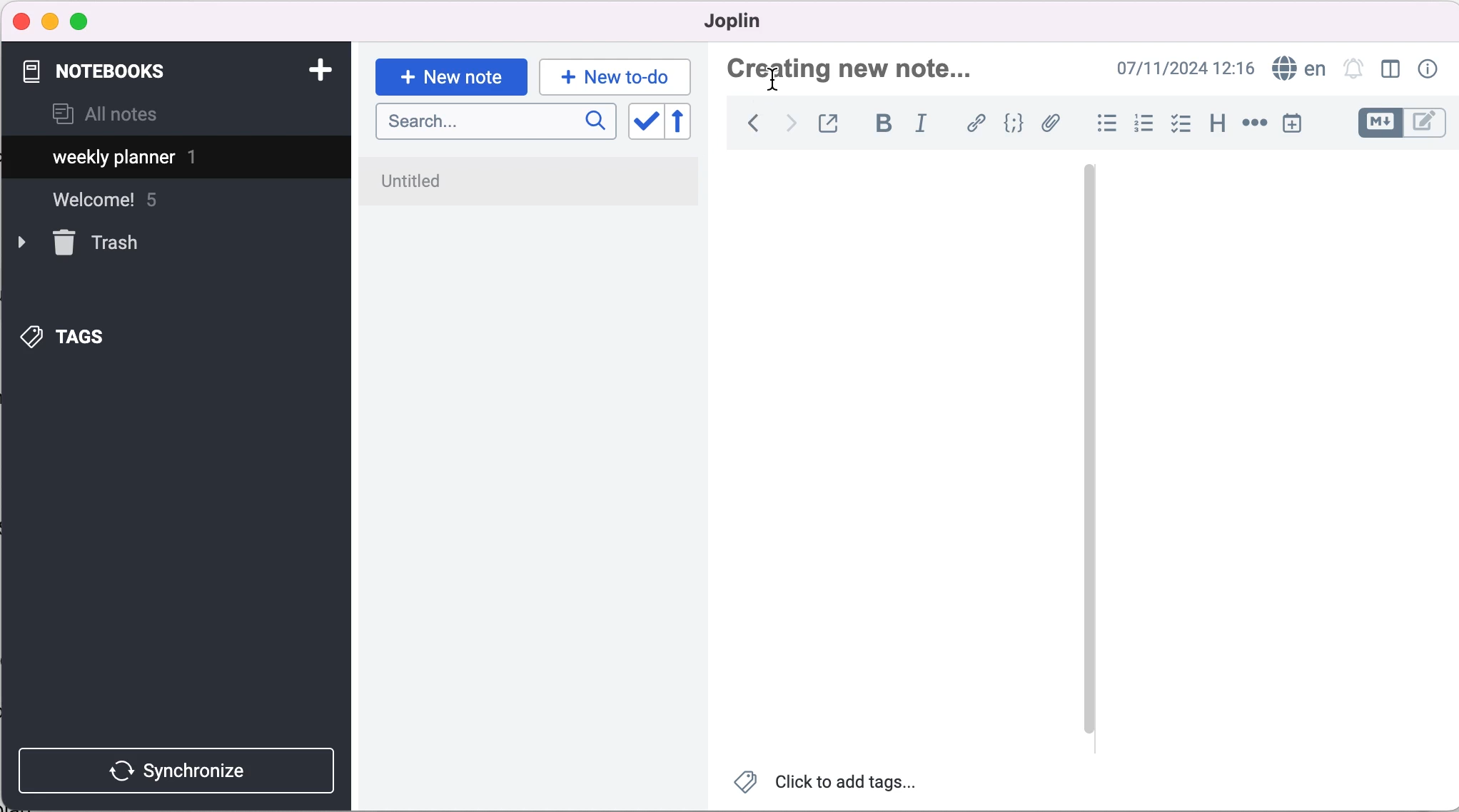  What do you see at coordinates (690, 124) in the screenshot?
I see `reverse sort order` at bounding box center [690, 124].